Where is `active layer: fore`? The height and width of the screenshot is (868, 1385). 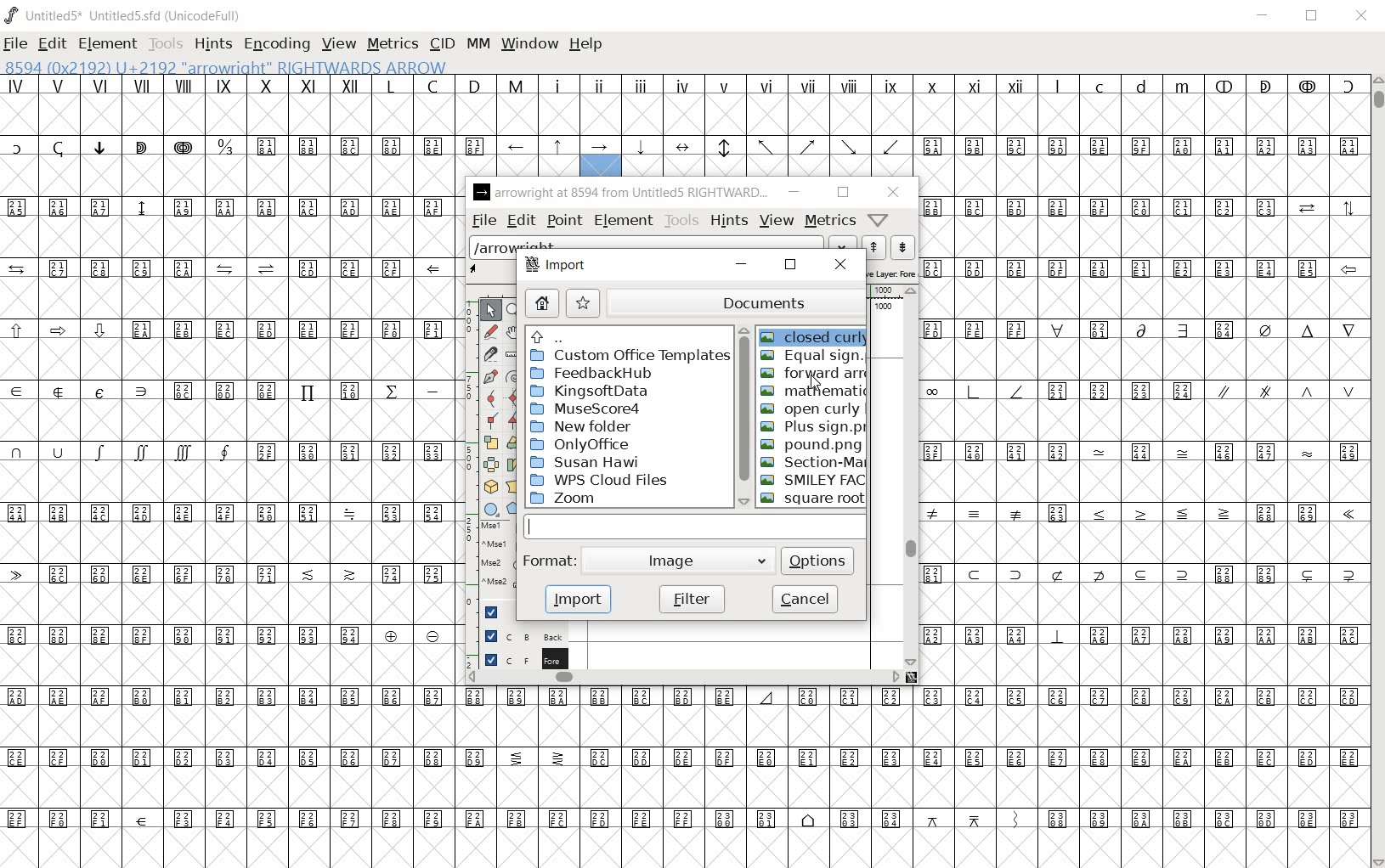 active layer: fore is located at coordinates (891, 272).